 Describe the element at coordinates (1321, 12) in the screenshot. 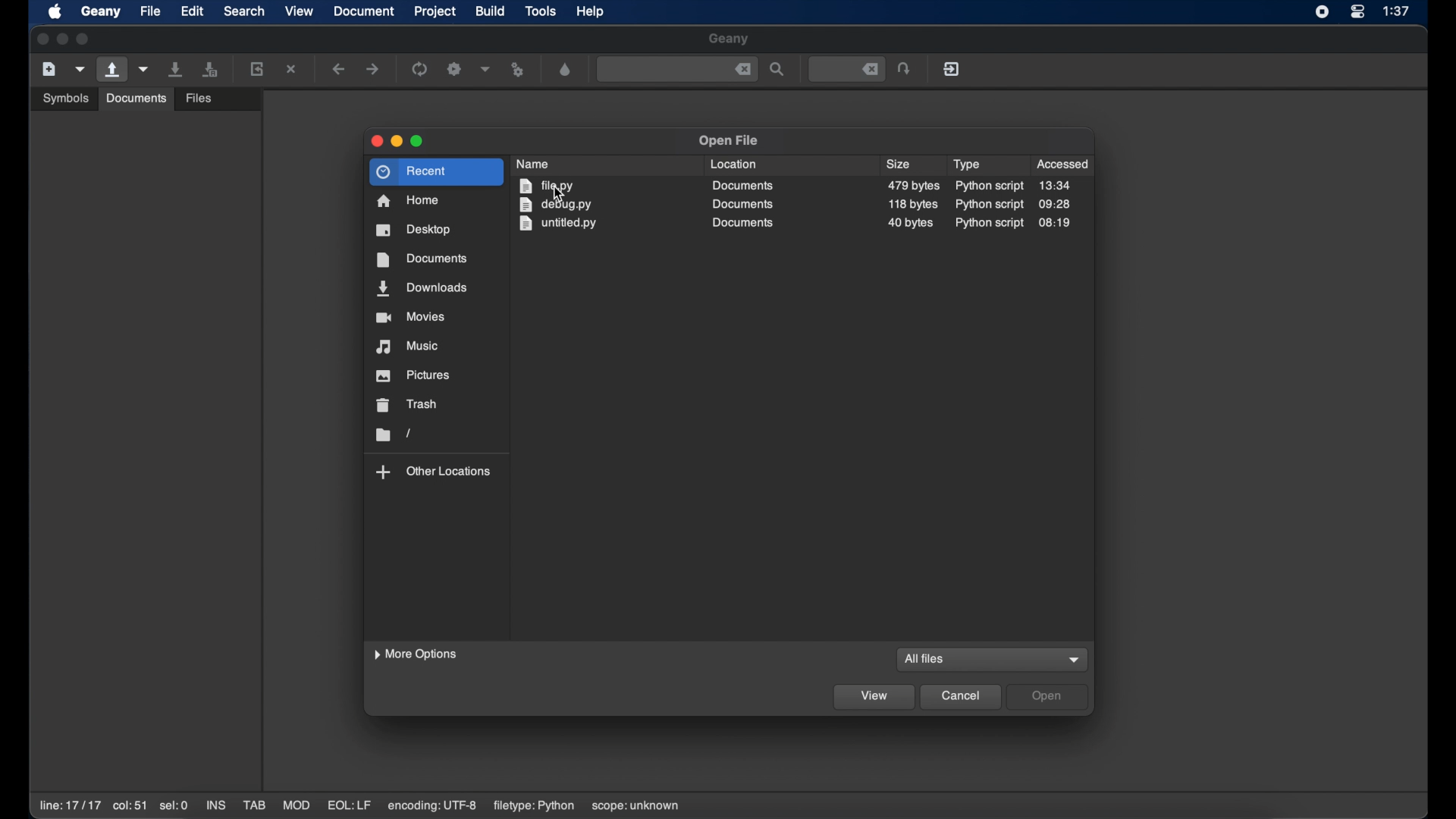

I see `screen recorder icons` at that location.